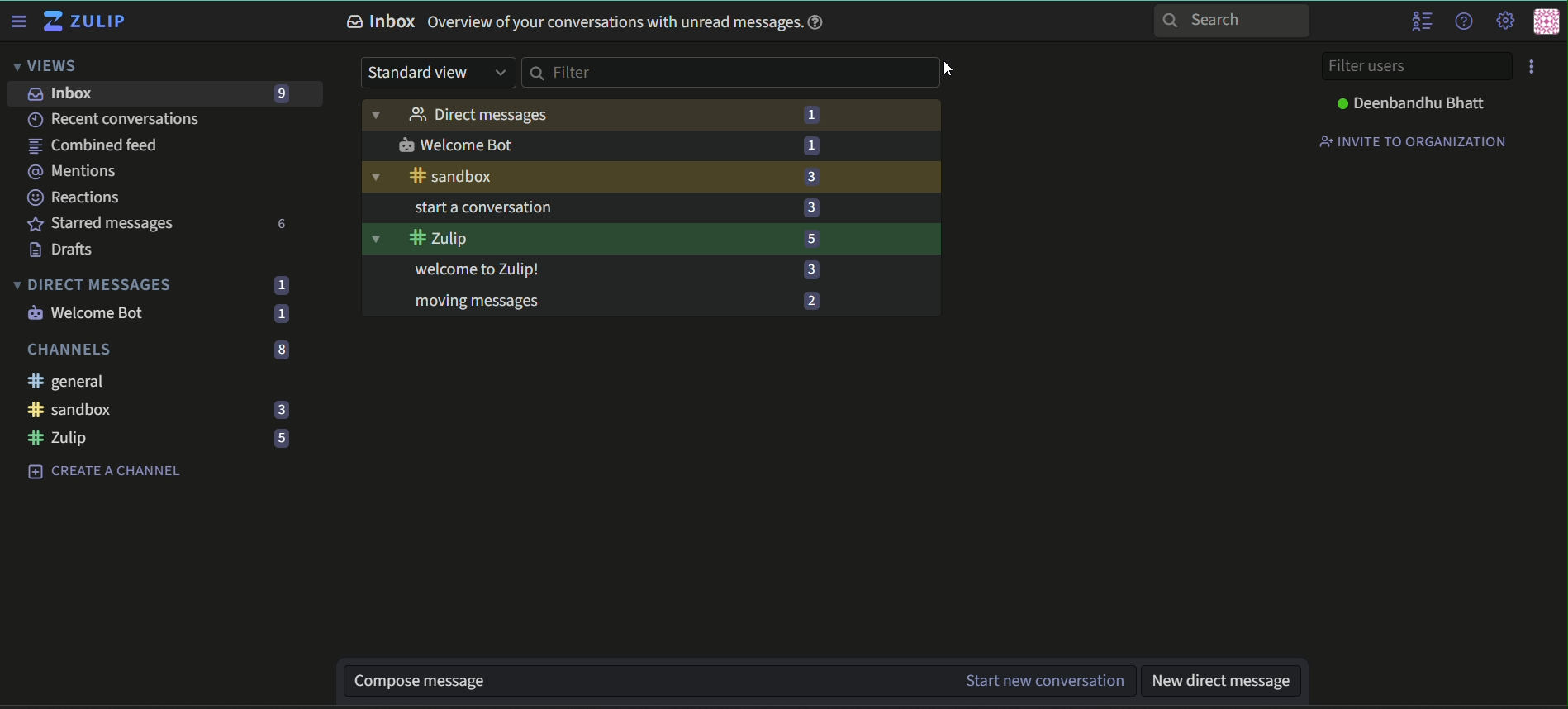 The width and height of the screenshot is (1568, 709). What do you see at coordinates (598, 269) in the screenshot?
I see `start a conversation` at bounding box center [598, 269].